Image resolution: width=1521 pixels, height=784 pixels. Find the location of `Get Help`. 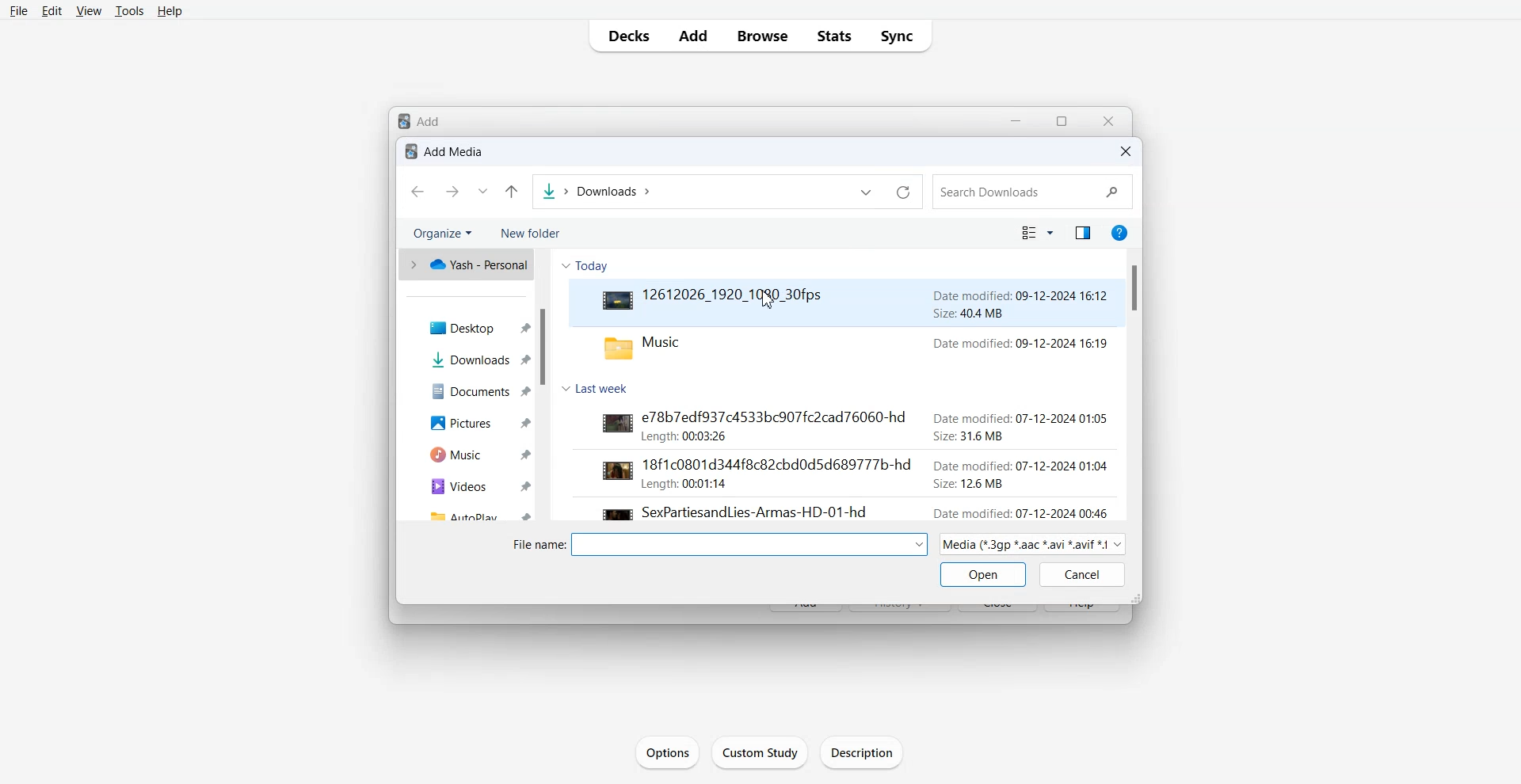

Get Help is located at coordinates (1118, 234).